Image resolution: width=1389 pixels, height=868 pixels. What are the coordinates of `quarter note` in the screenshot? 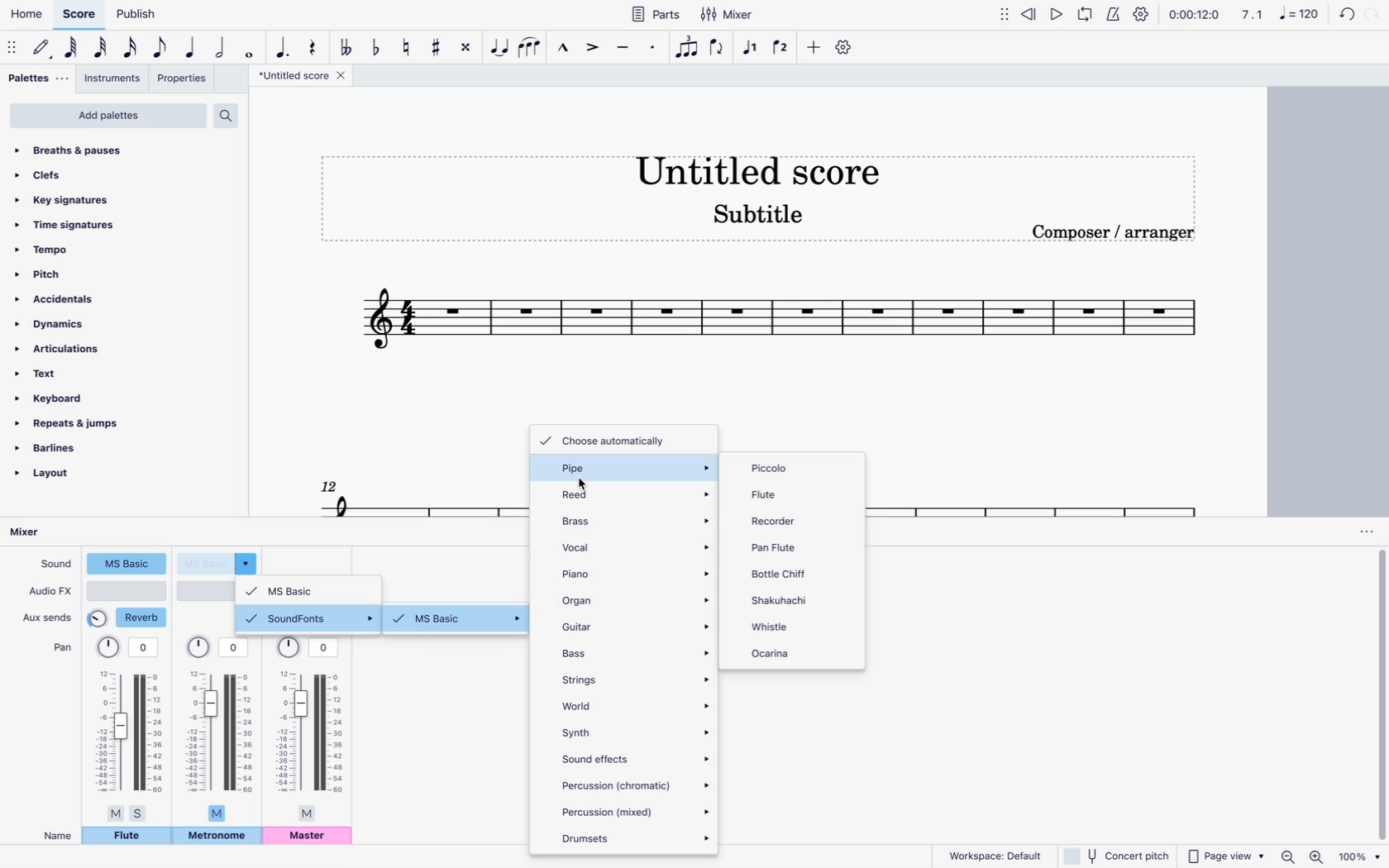 It's located at (191, 48).